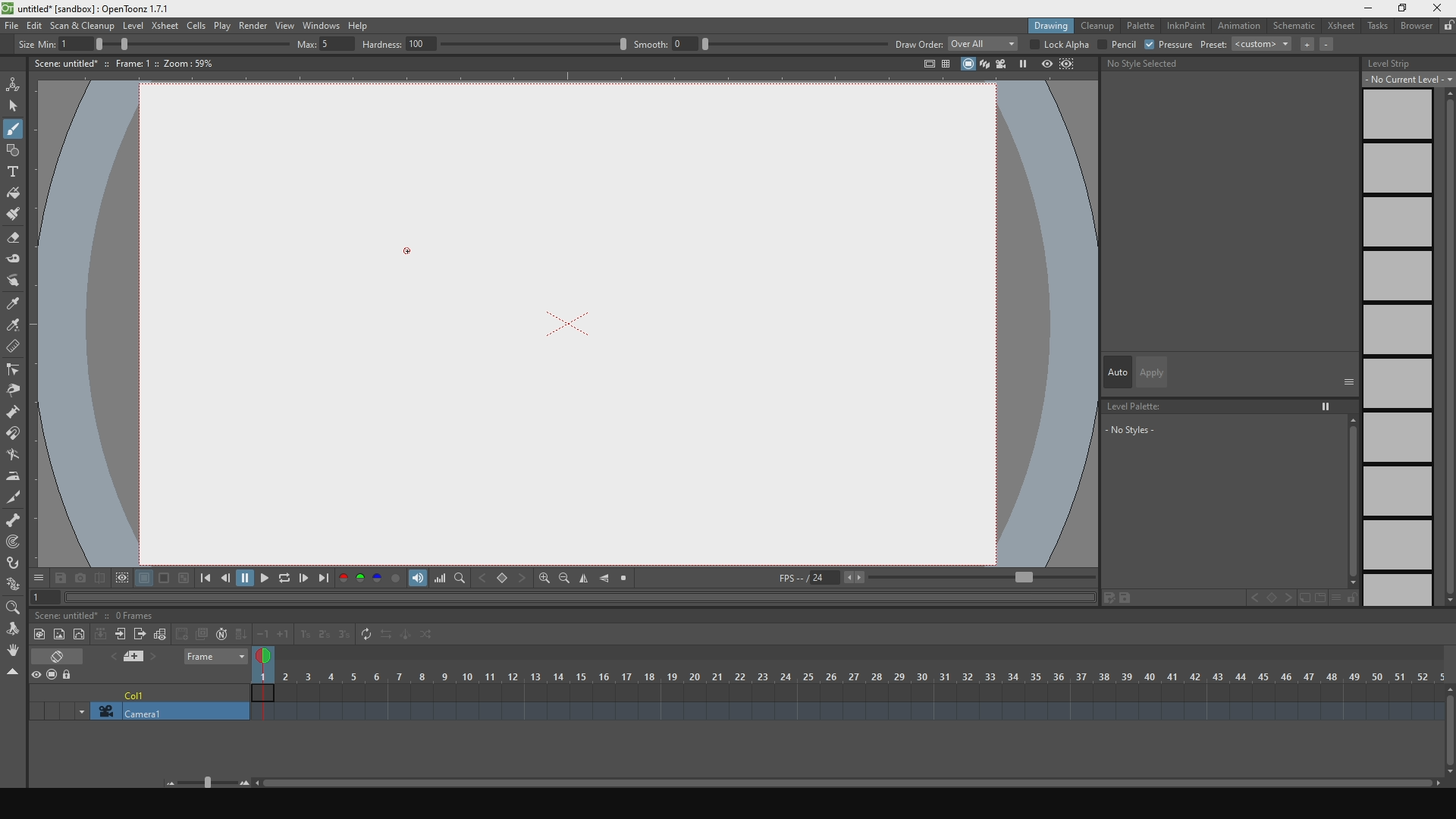  Describe the element at coordinates (1349, 381) in the screenshot. I see `options` at that location.